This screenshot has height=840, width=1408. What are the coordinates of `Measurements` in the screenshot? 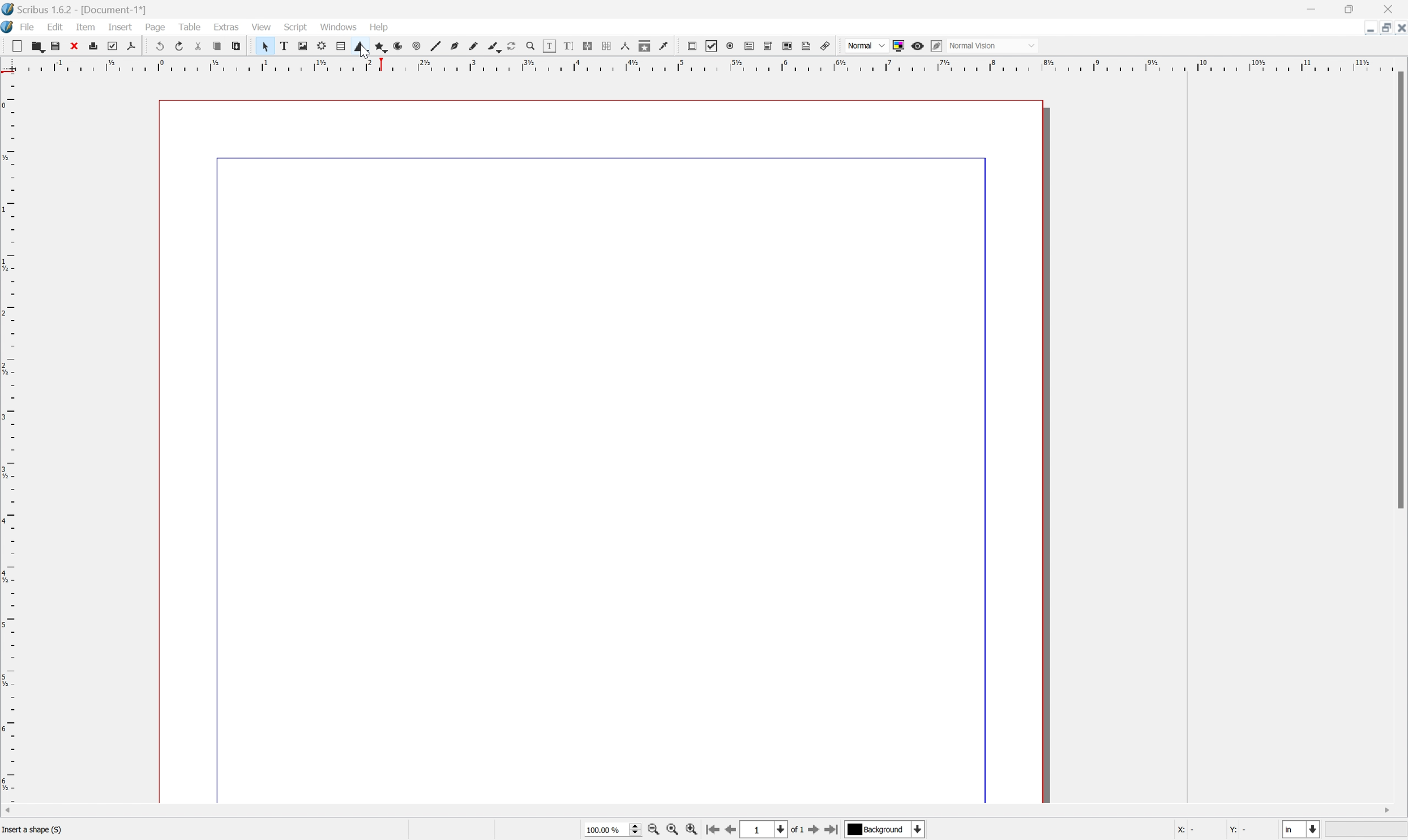 It's located at (625, 47).